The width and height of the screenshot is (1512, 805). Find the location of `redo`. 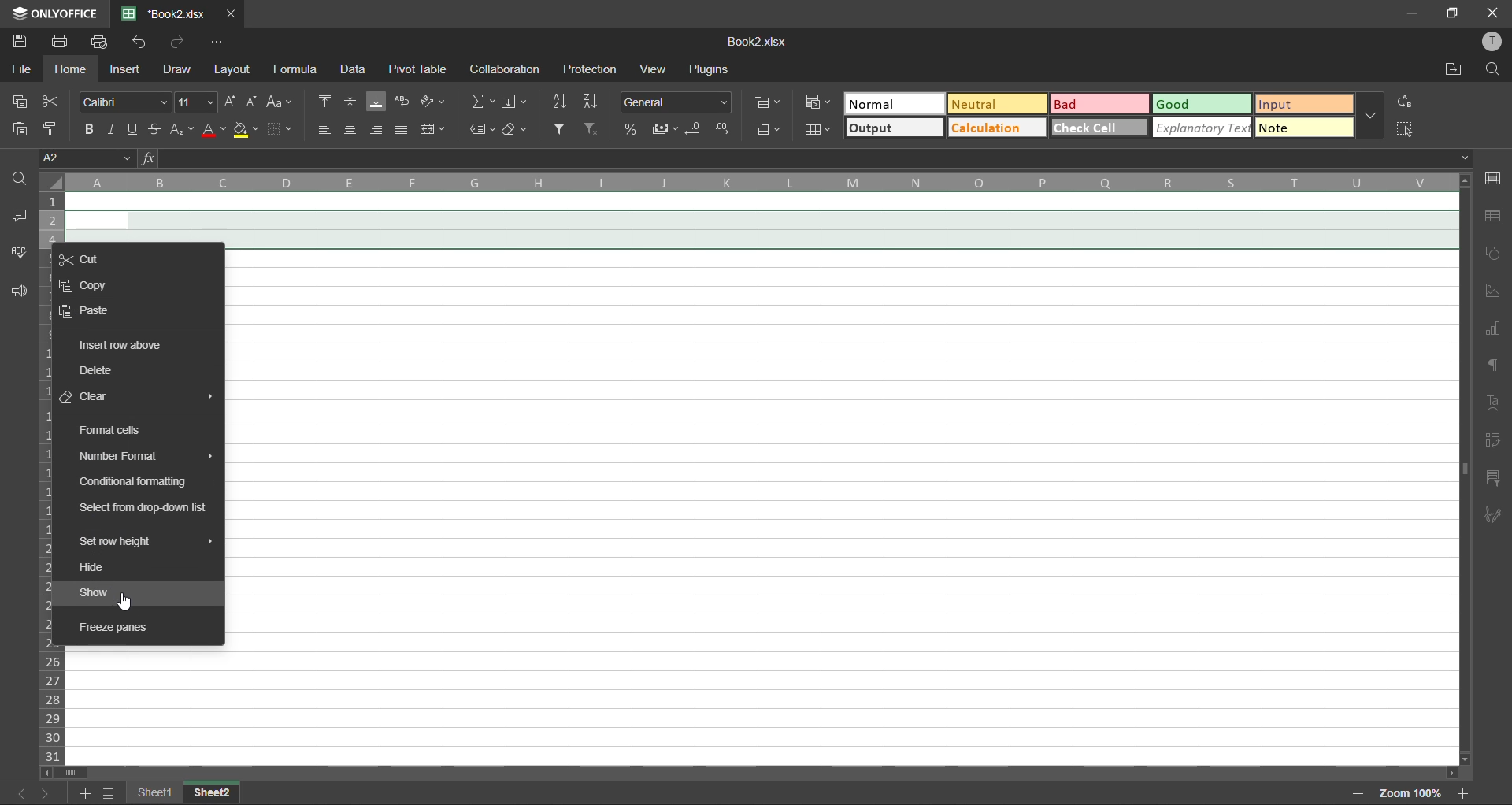

redo is located at coordinates (177, 42).